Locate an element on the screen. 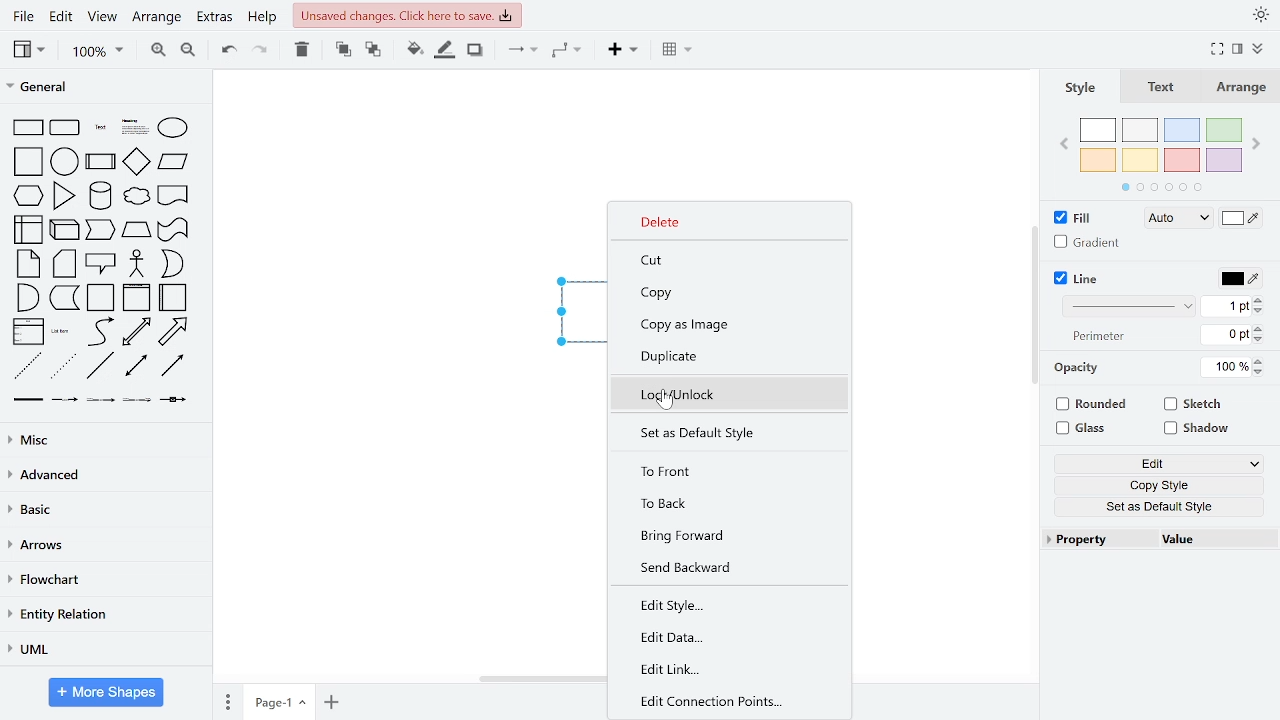 The image size is (1280, 720). 100% is located at coordinates (95, 53).